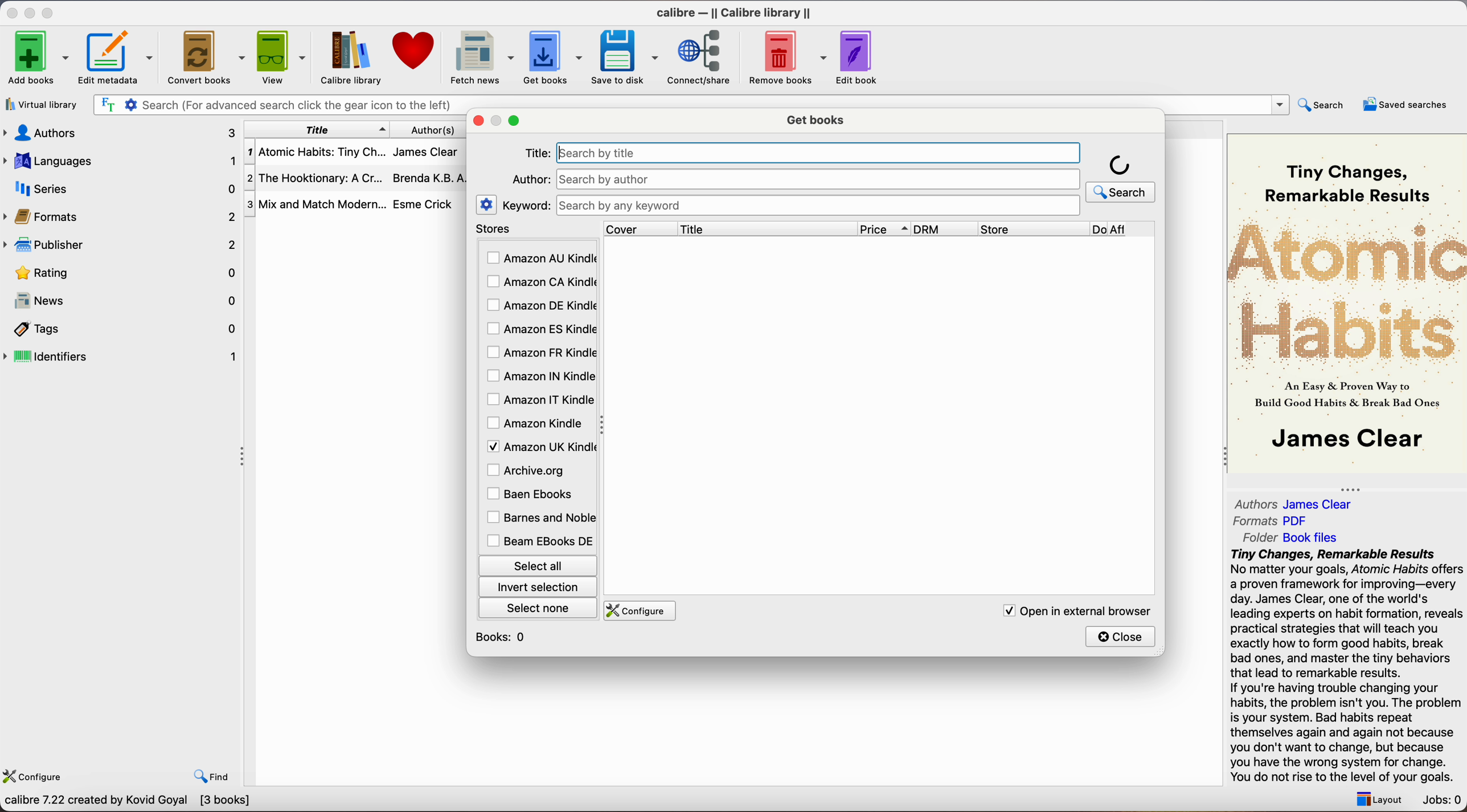 The height and width of the screenshot is (812, 1467). I want to click on clear, so click(1065, 153).